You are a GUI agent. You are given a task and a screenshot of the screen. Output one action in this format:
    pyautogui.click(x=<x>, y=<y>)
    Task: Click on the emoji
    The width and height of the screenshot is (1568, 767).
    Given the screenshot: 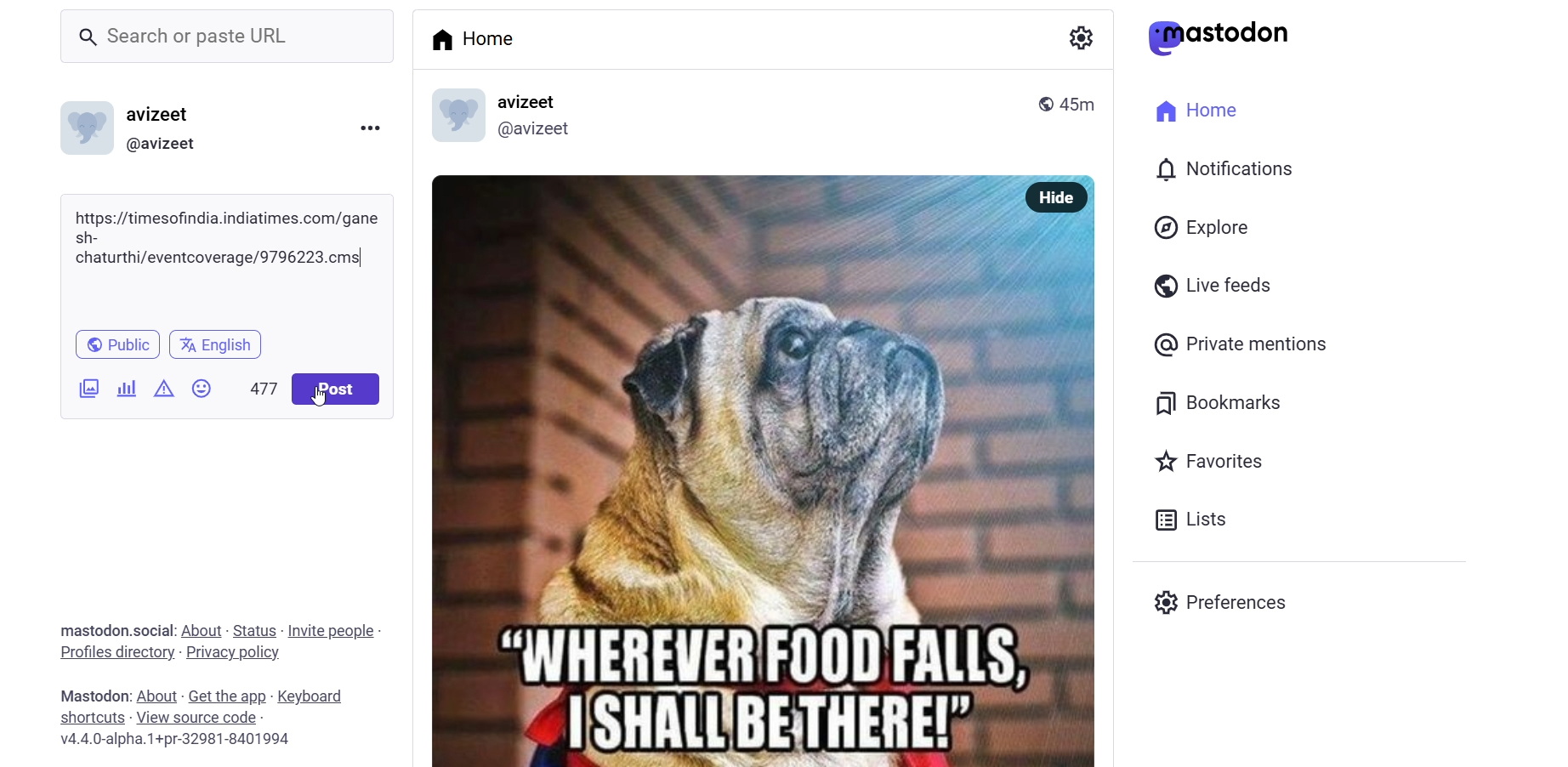 What is the action you would take?
    pyautogui.click(x=201, y=389)
    